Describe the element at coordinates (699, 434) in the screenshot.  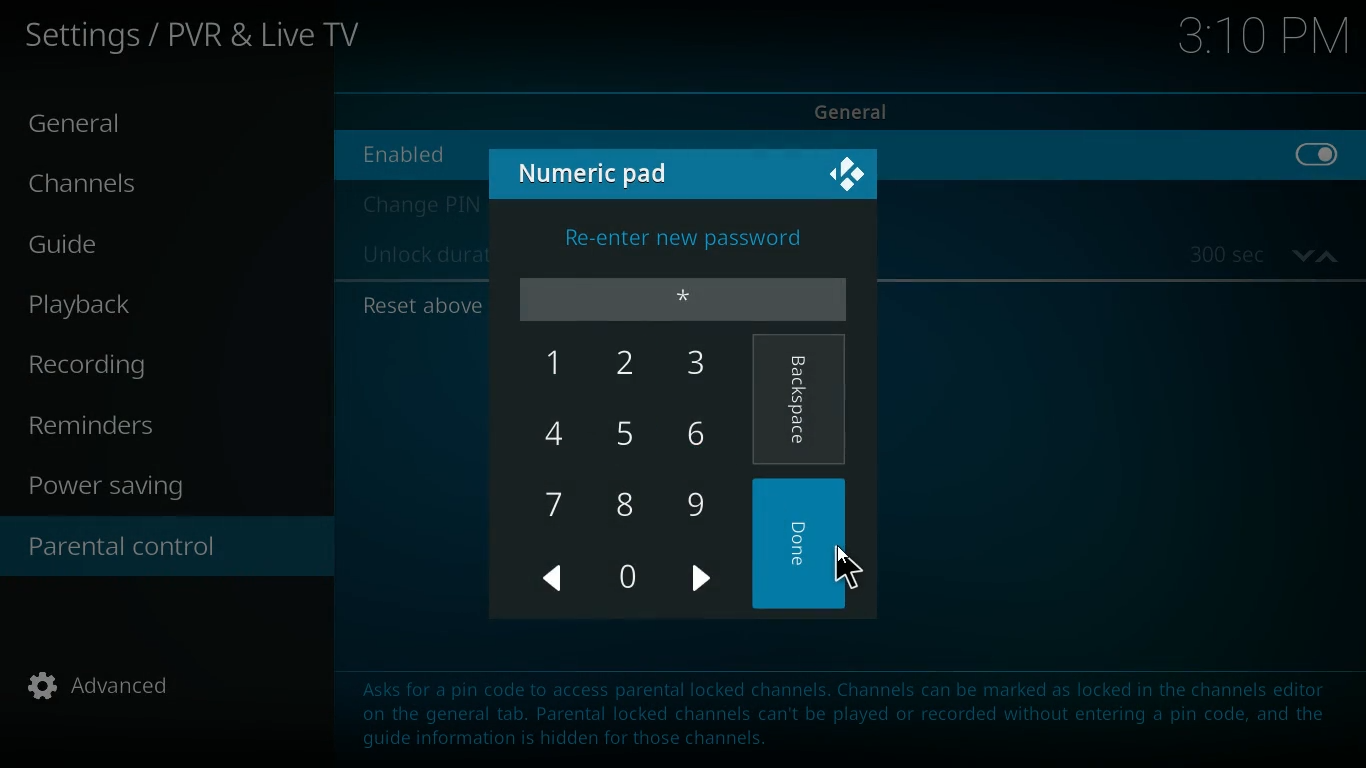
I see `6` at that location.